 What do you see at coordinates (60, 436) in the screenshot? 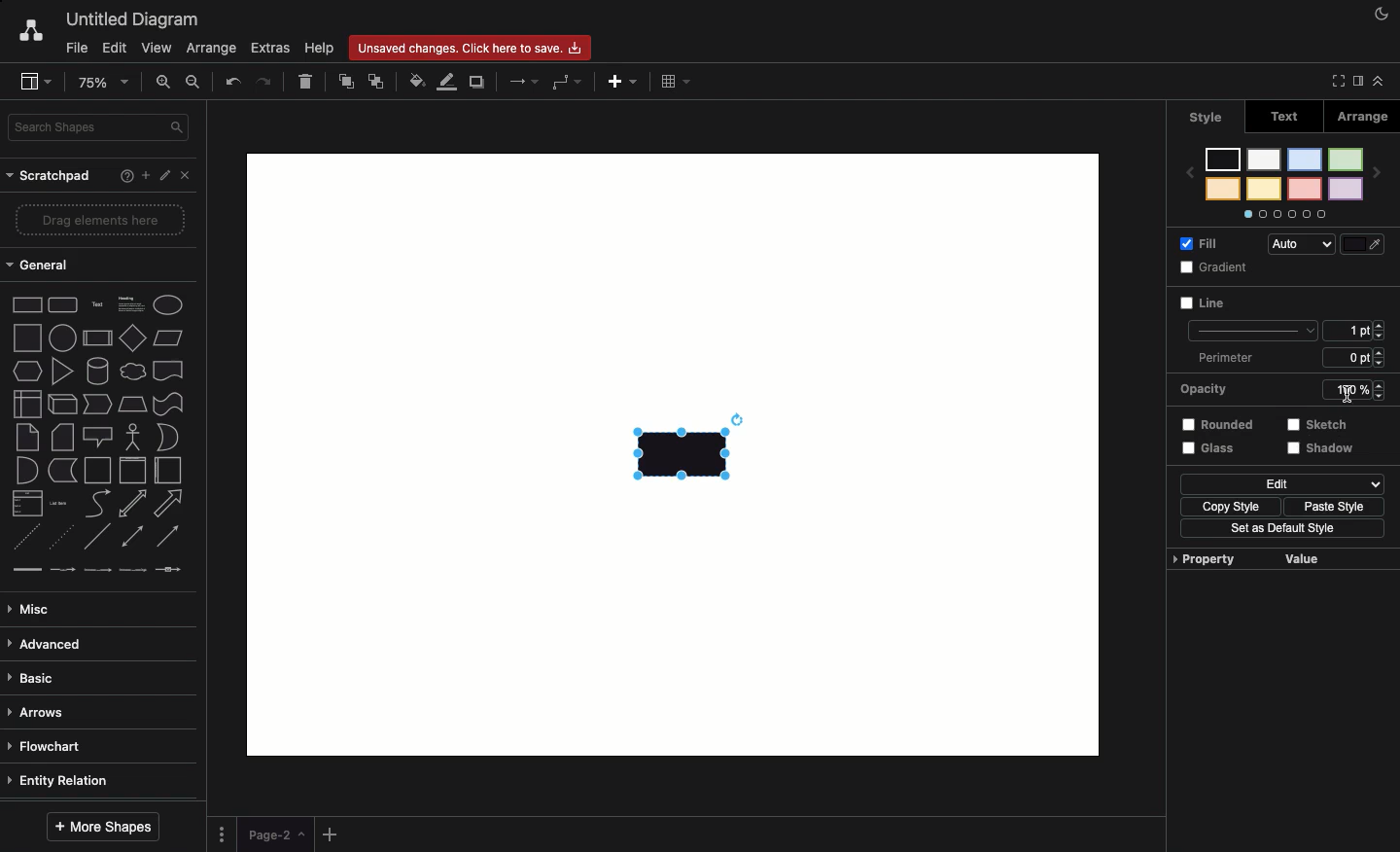
I see `card` at bounding box center [60, 436].